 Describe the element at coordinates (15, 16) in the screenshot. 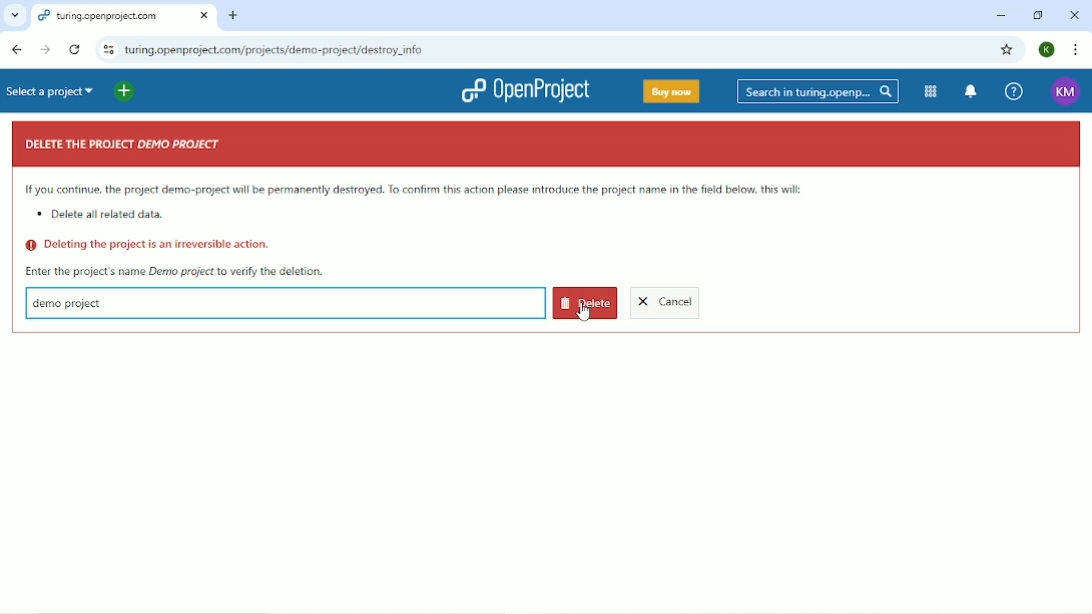

I see `Search tabs` at that location.